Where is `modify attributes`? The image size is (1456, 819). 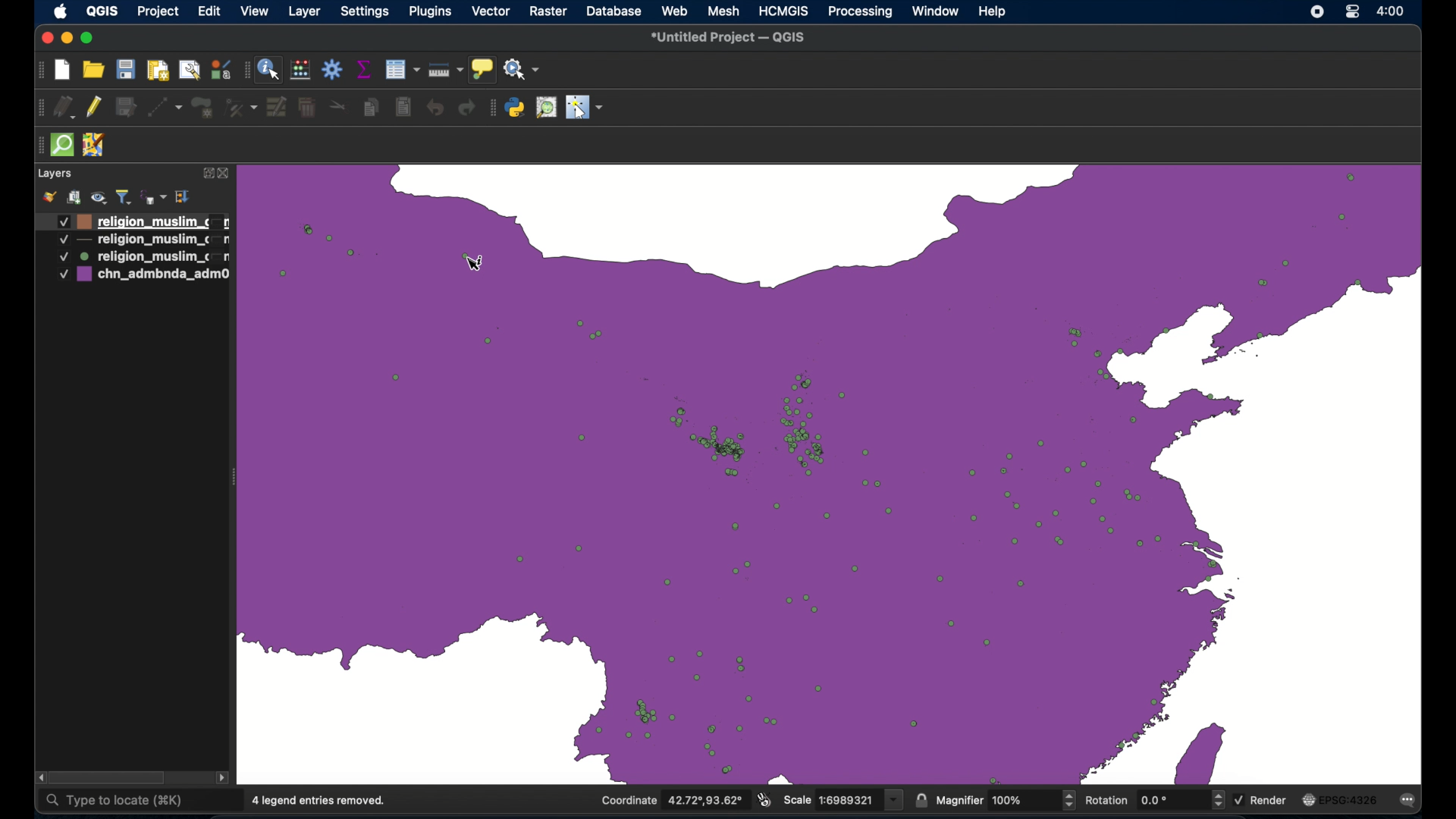
modify attributes is located at coordinates (277, 107).